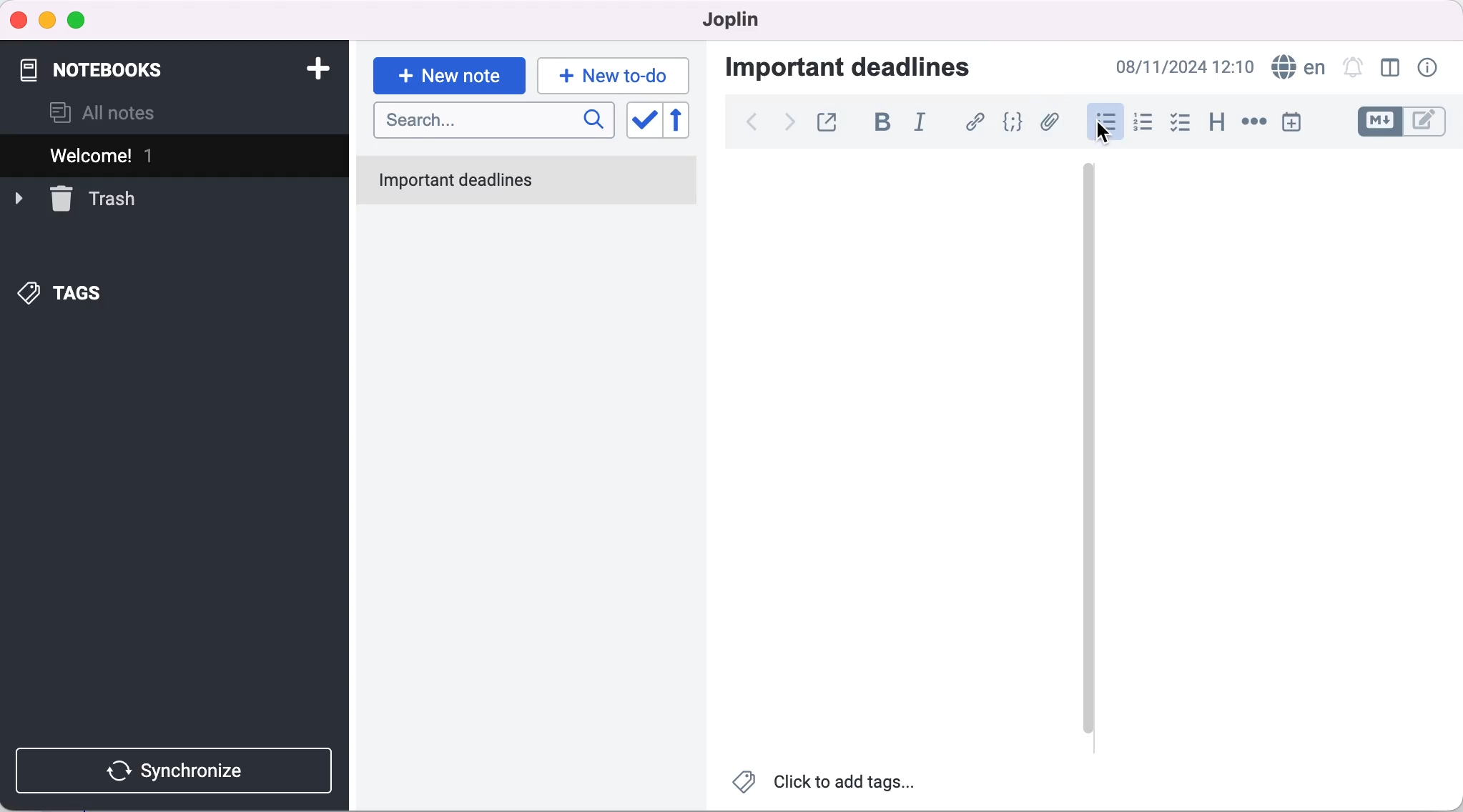 This screenshot has height=812, width=1463. Describe the element at coordinates (1105, 123) in the screenshot. I see `cursor` at that location.